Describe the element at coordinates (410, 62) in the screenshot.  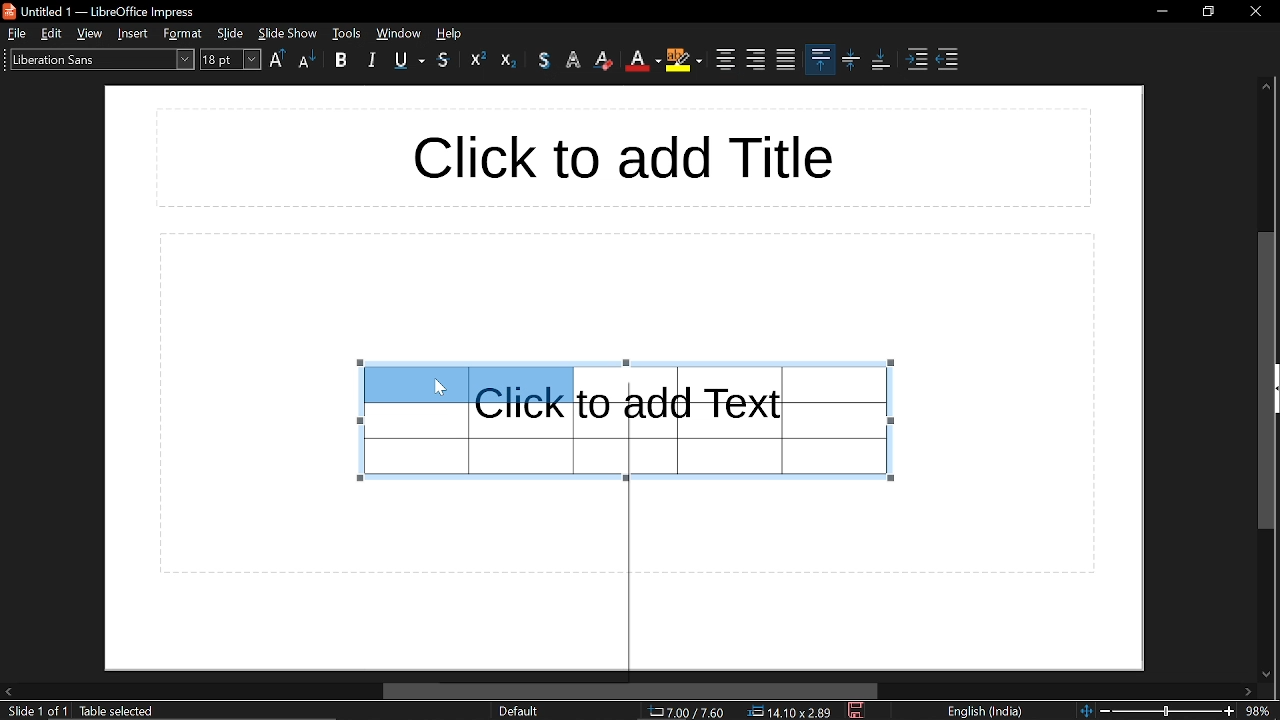
I see `underline` at that location.